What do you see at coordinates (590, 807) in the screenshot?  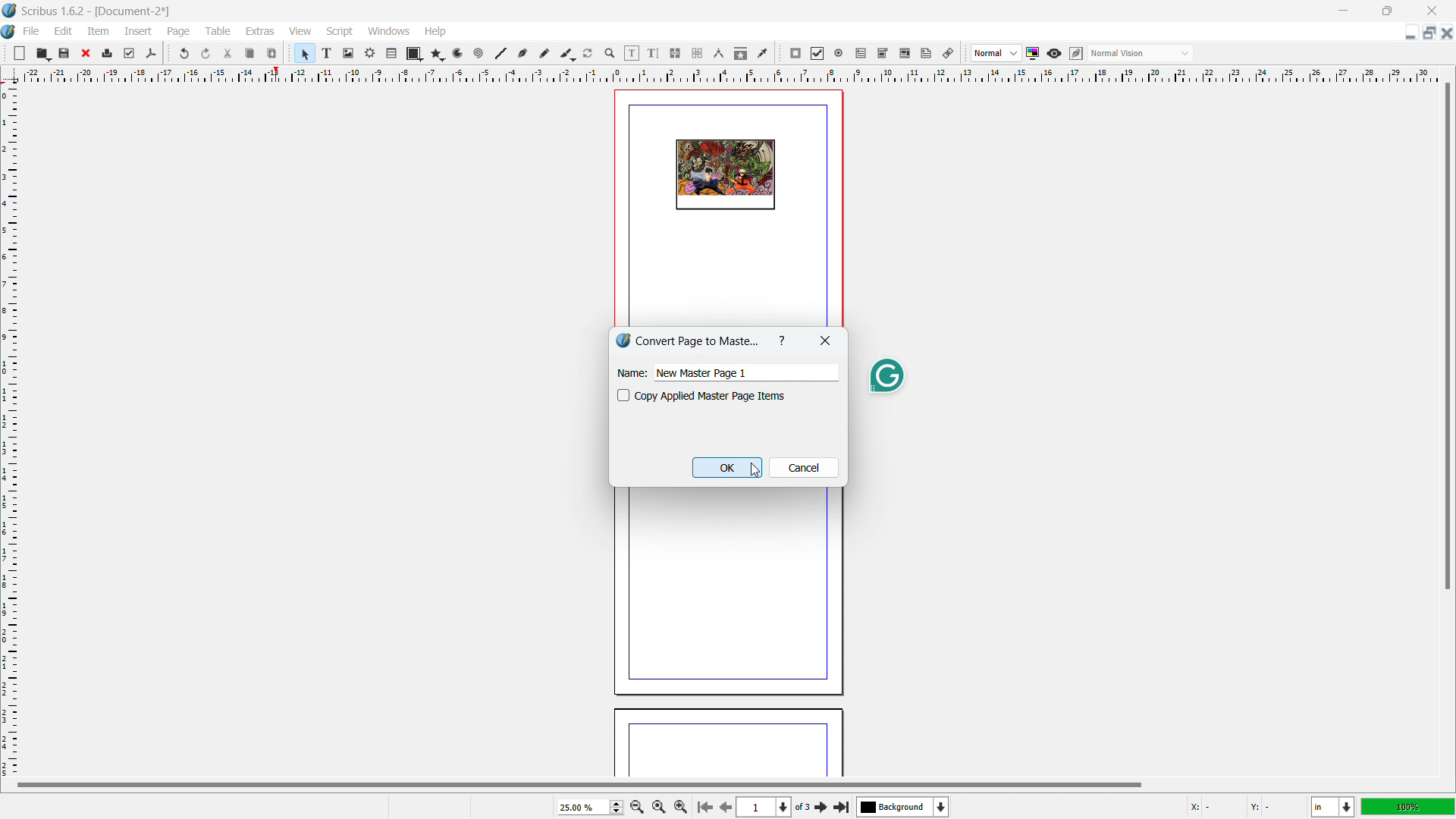 I see `zoom level` at bounding box center [590, 807].